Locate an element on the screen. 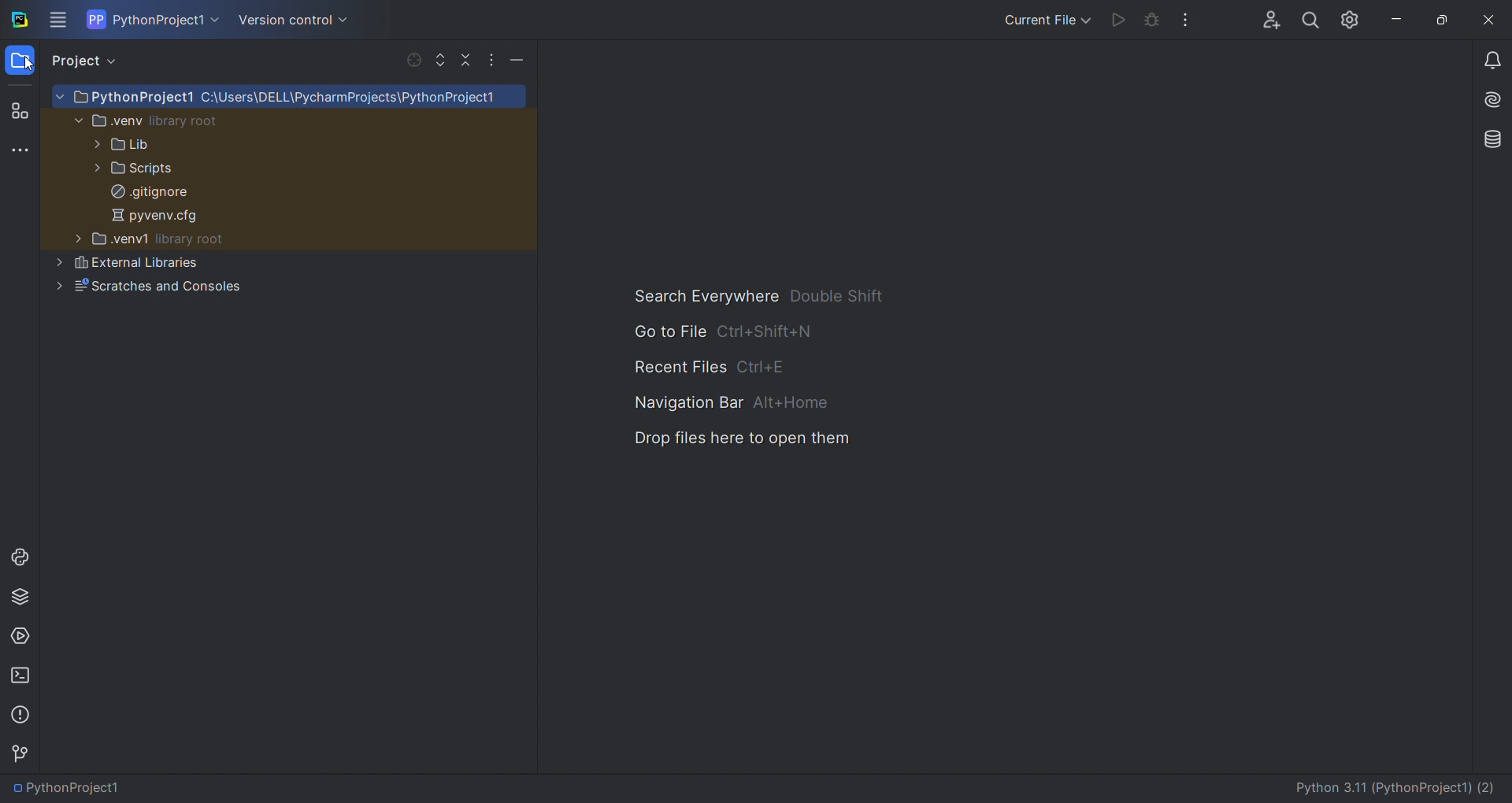  settings is located at coordinates (1346, 22).